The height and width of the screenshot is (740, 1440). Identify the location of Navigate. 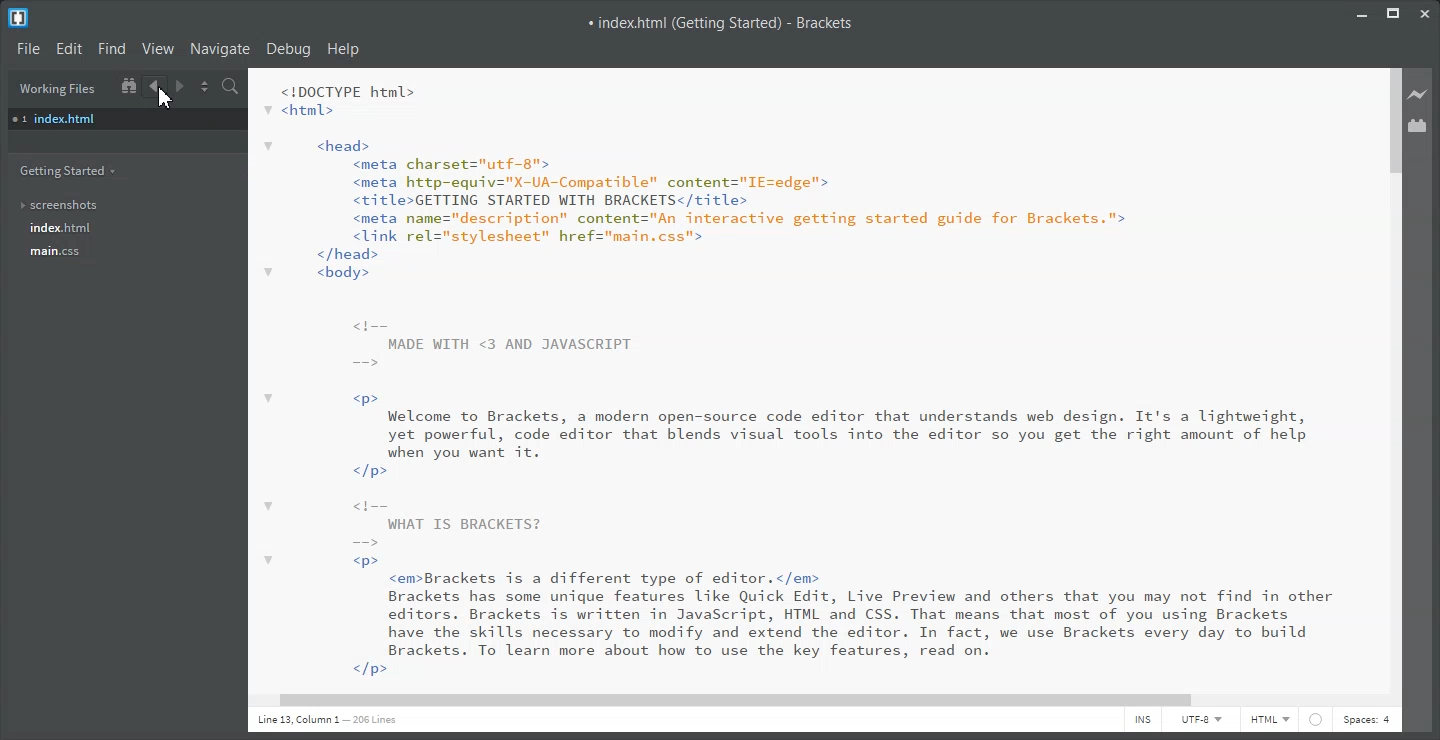
(220, 49).